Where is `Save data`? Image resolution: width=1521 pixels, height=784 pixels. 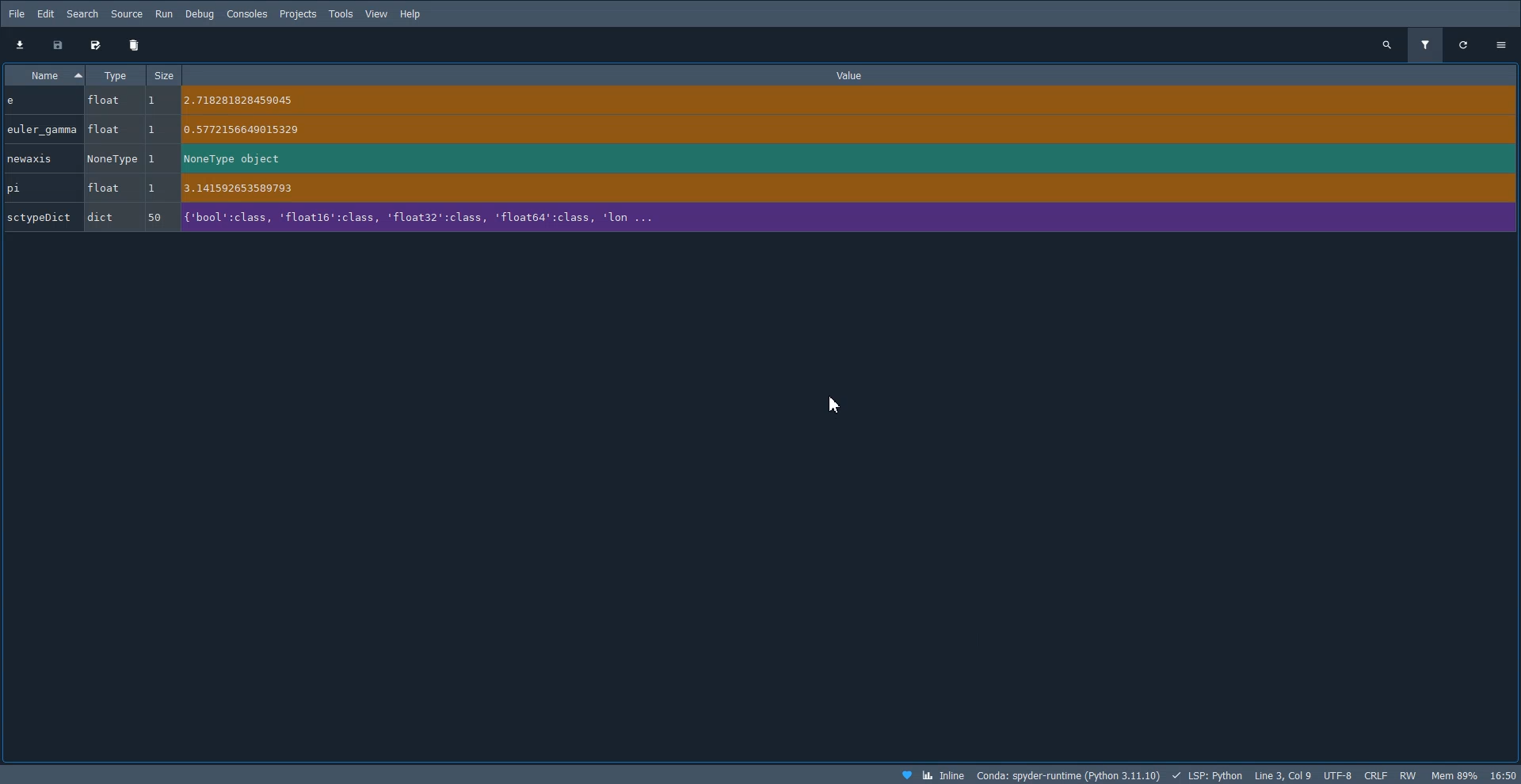
Save data is located at coordinates (59, 45).